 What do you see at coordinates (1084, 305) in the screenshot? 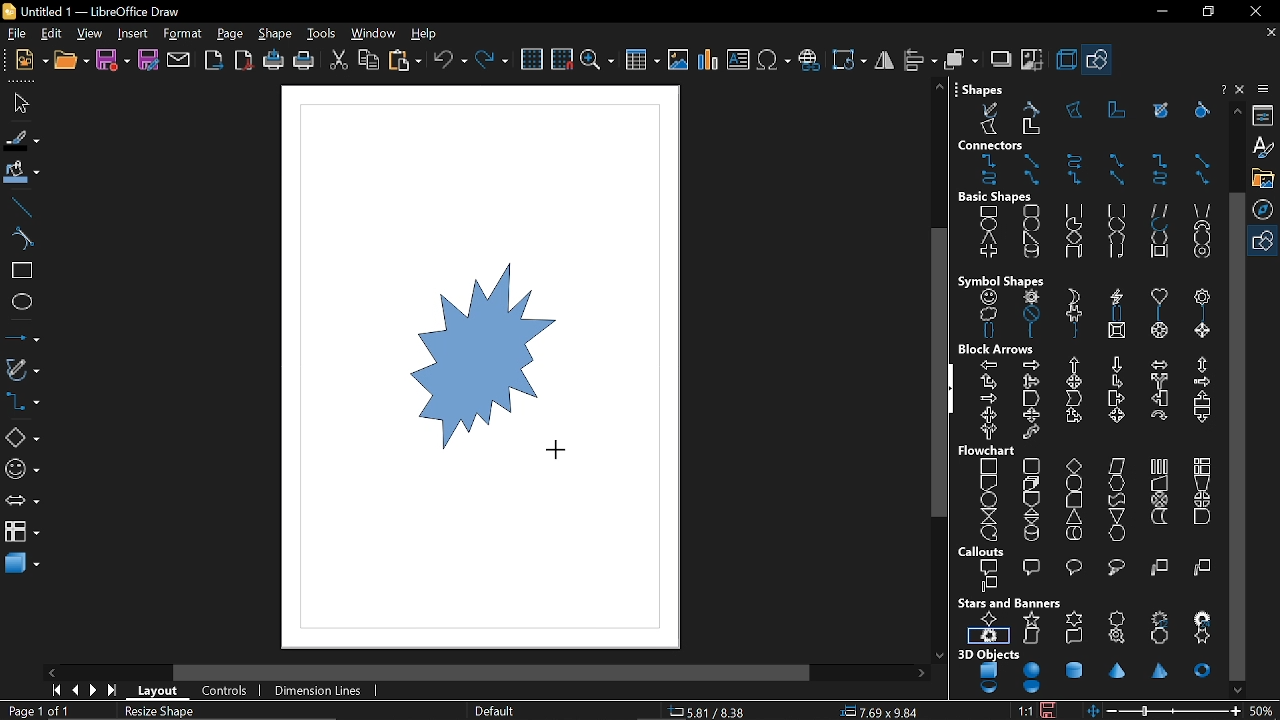
I see `Symbol shapes` at bounding box center [1084, 305].